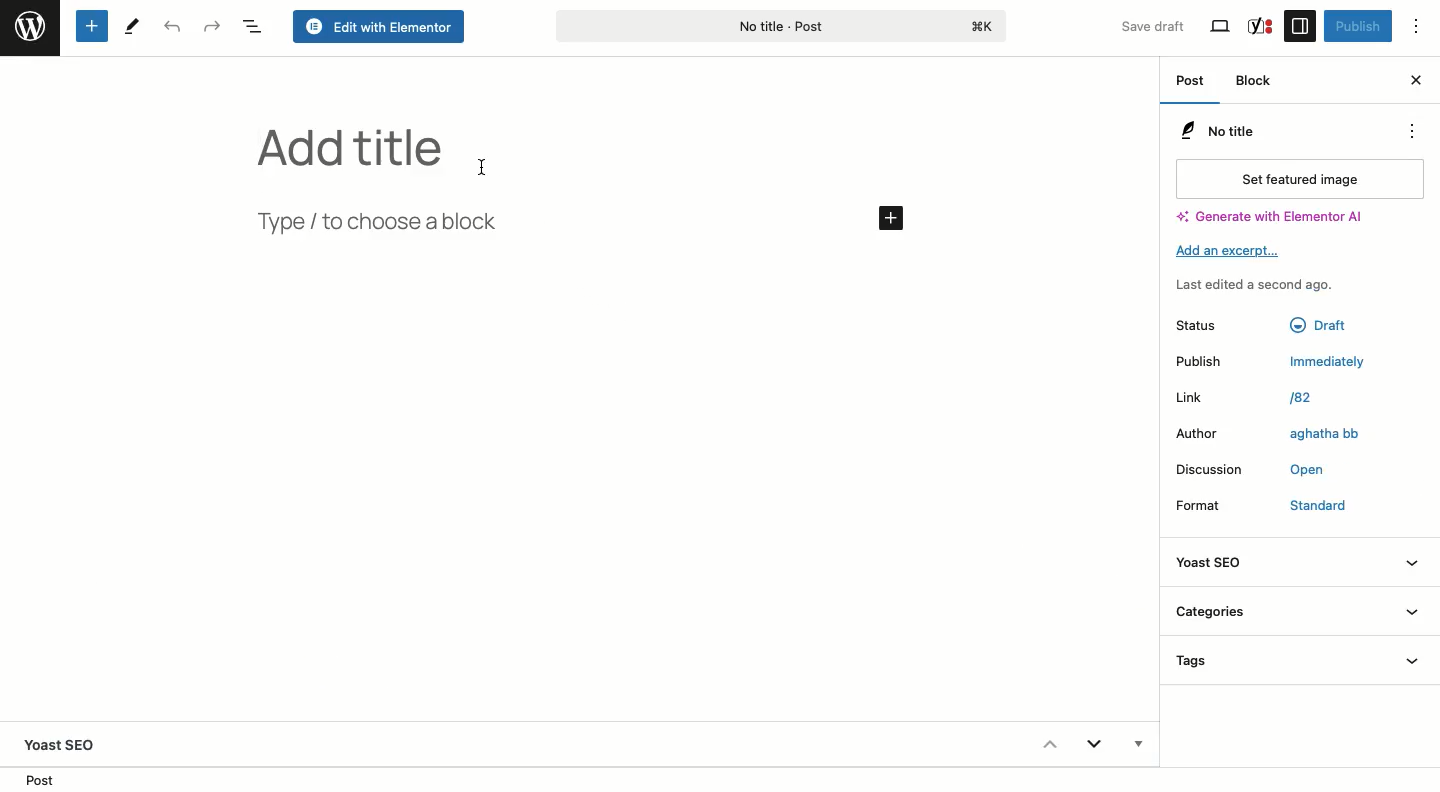 The image size is (1440, 792). I want to click on /82, so click(1307, 400).